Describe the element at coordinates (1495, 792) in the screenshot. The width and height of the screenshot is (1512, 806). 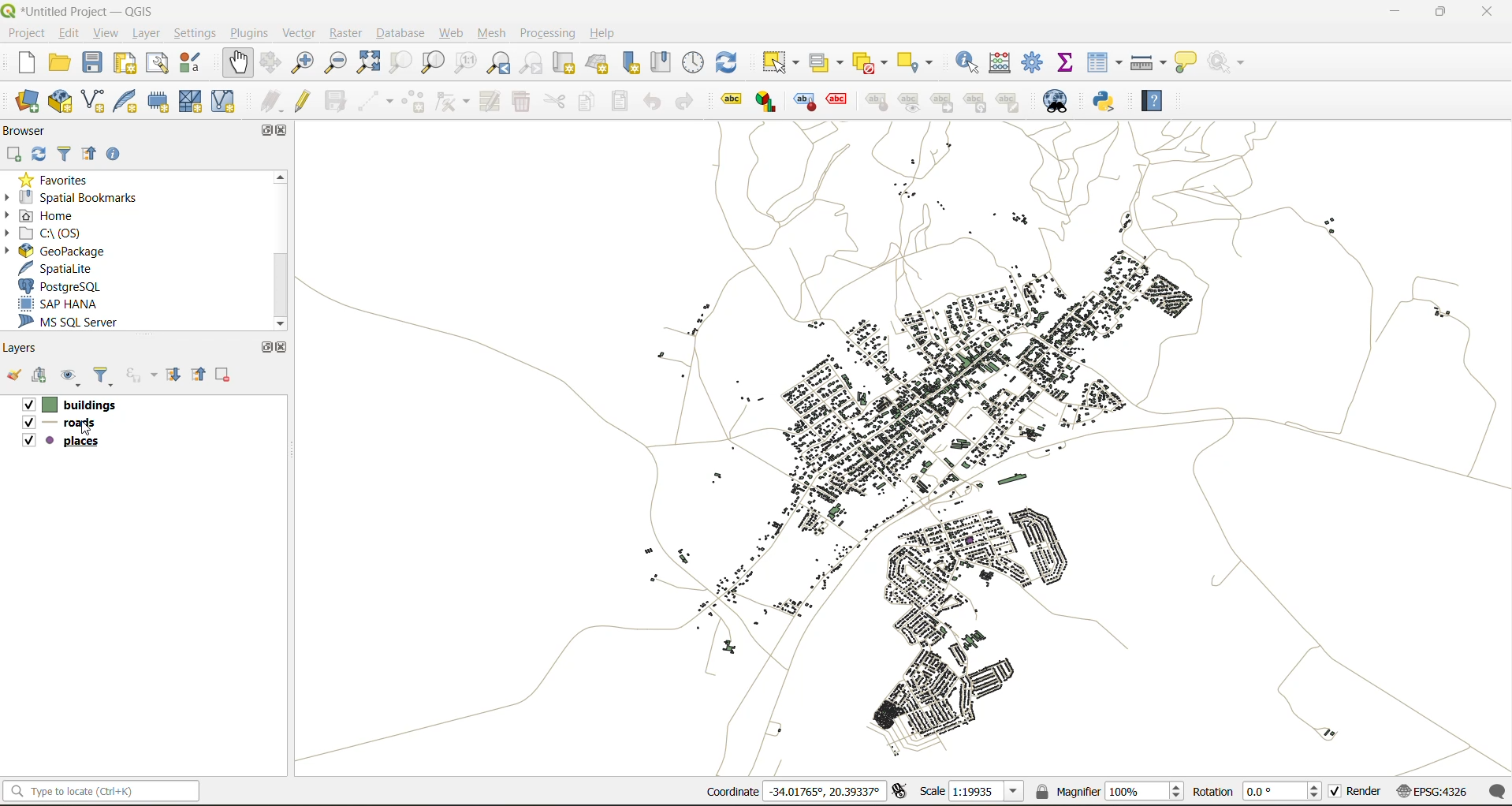
I see `log messages` at that location.